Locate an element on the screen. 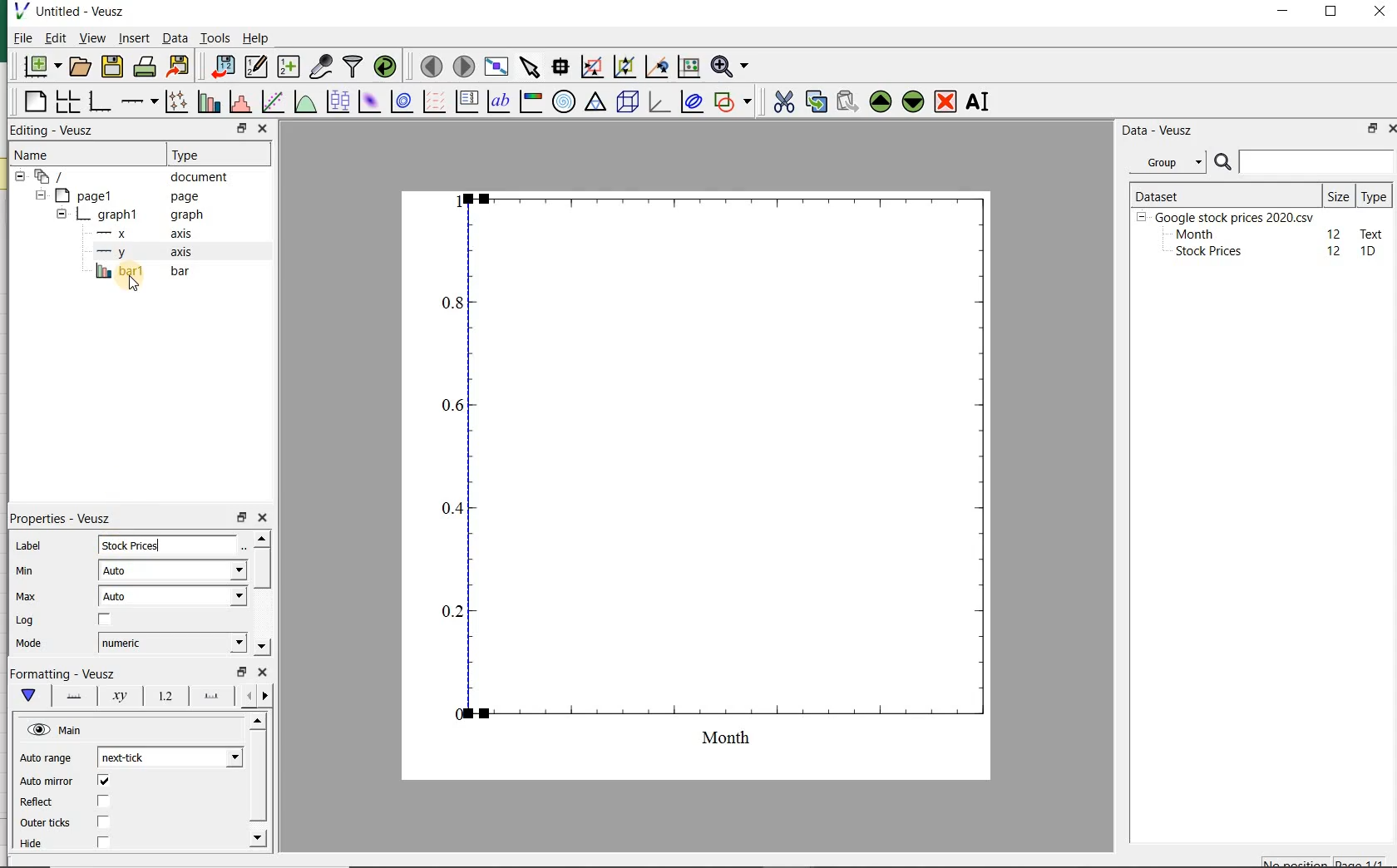 This screenshot has height=868, width=1397. plot a vector field is located at coordinates (432, 103).